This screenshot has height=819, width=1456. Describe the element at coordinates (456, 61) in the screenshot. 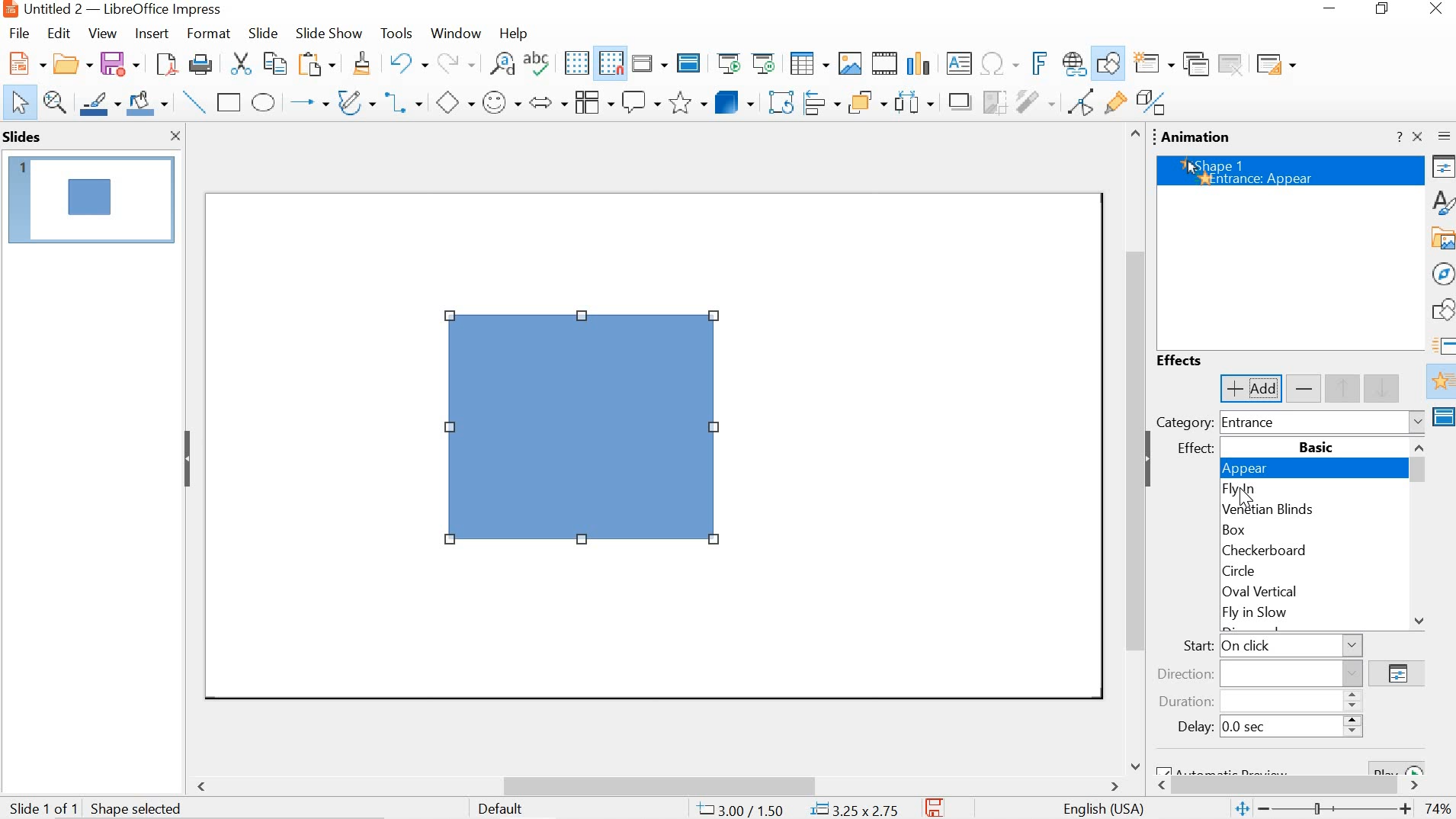

I see `redo` at that location.